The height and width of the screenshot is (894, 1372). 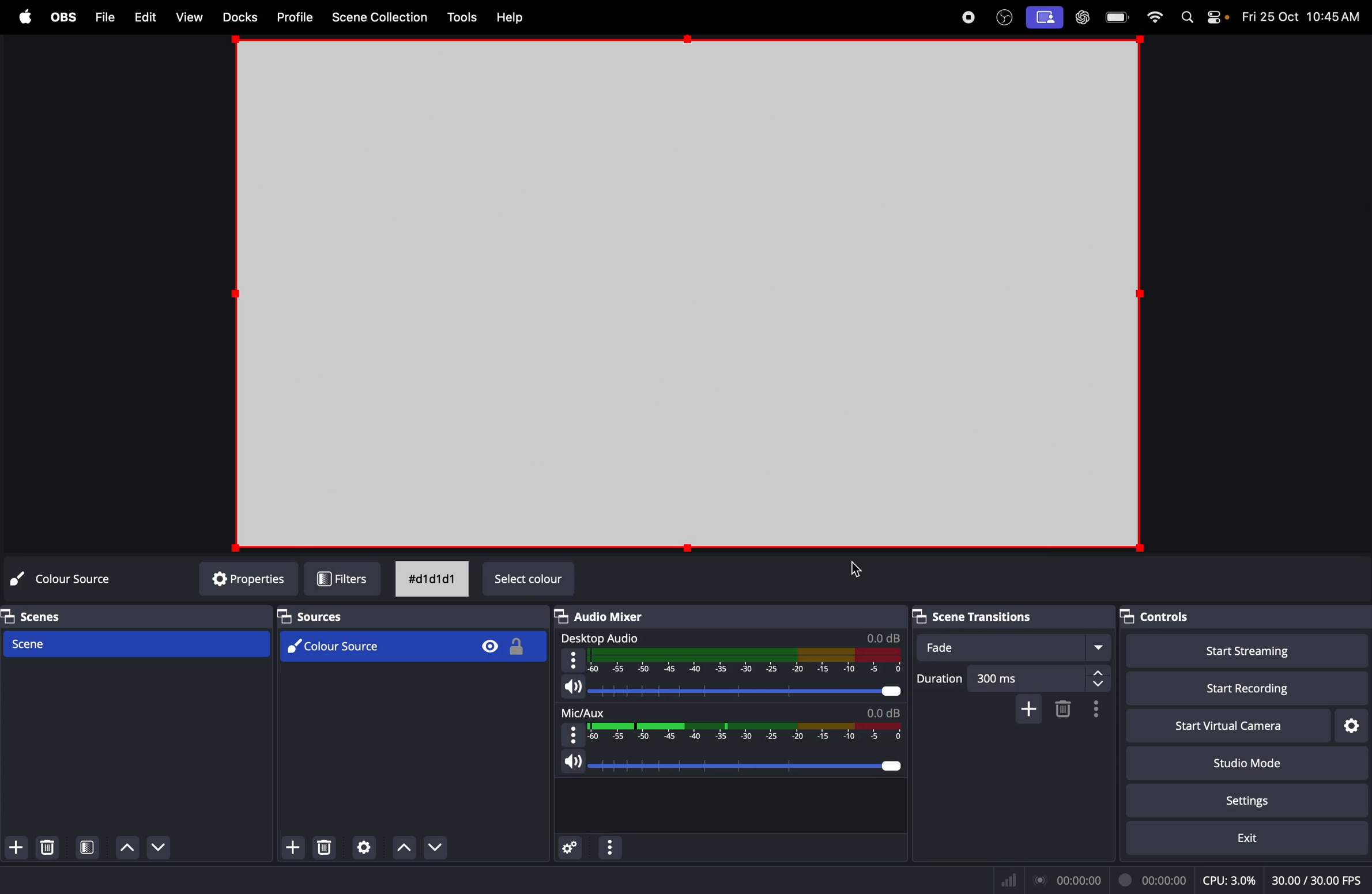 I want to click on chat gpt, so click(x=1081, y=18).